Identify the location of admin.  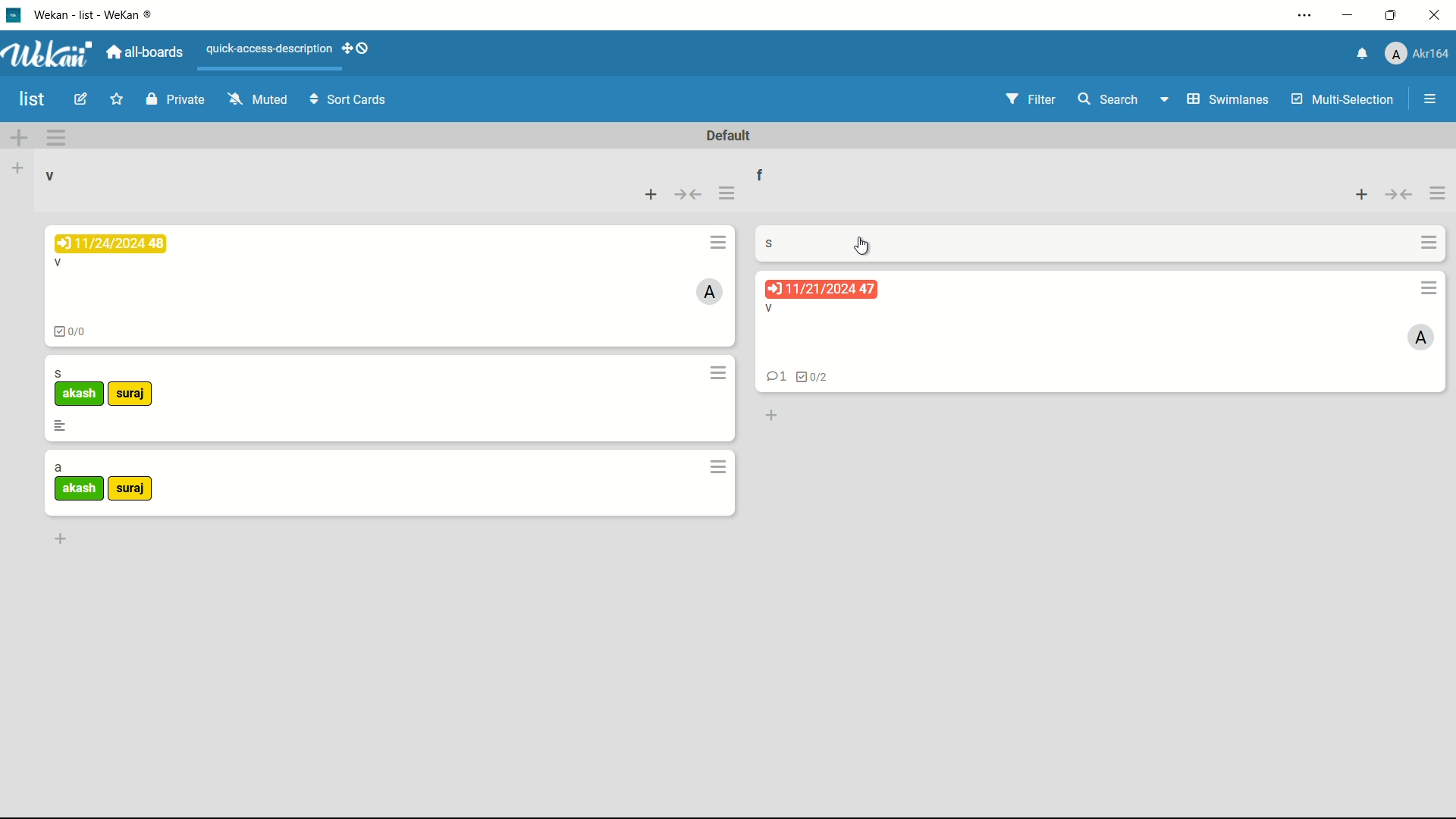
(711, 291).